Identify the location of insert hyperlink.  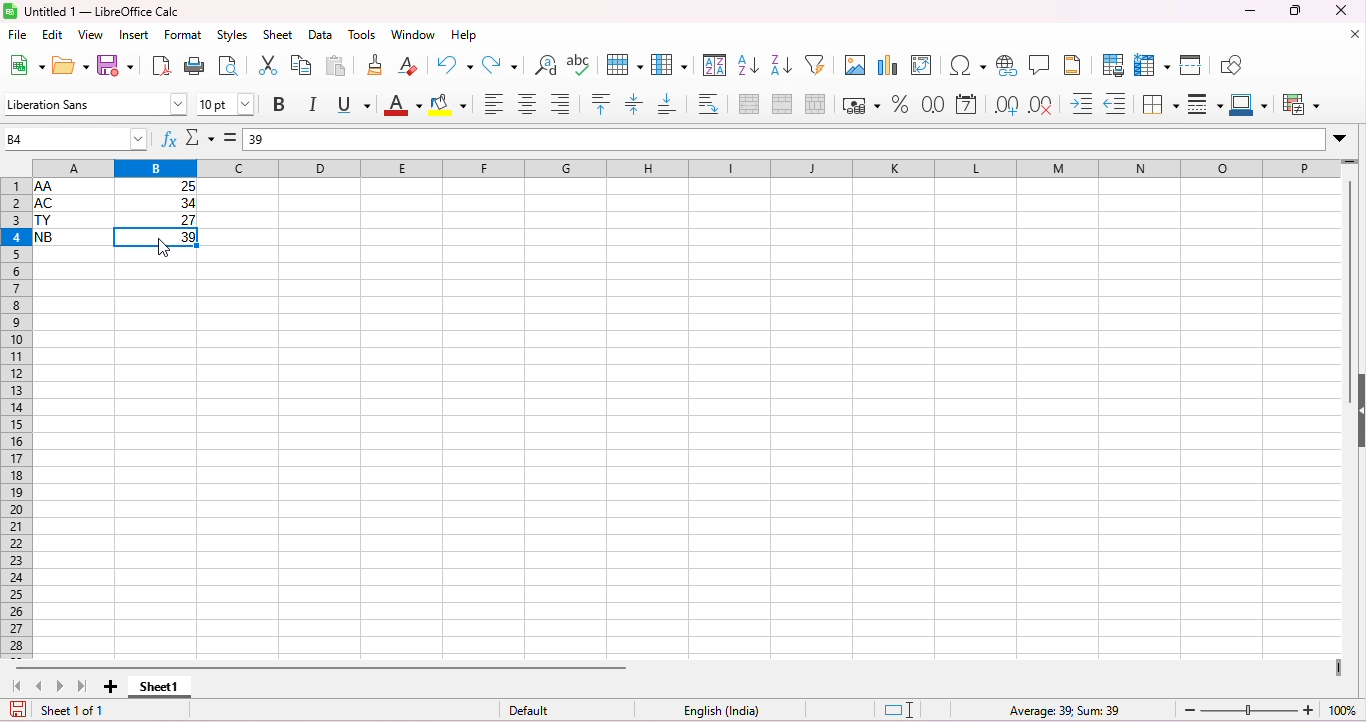
(1007, 65).